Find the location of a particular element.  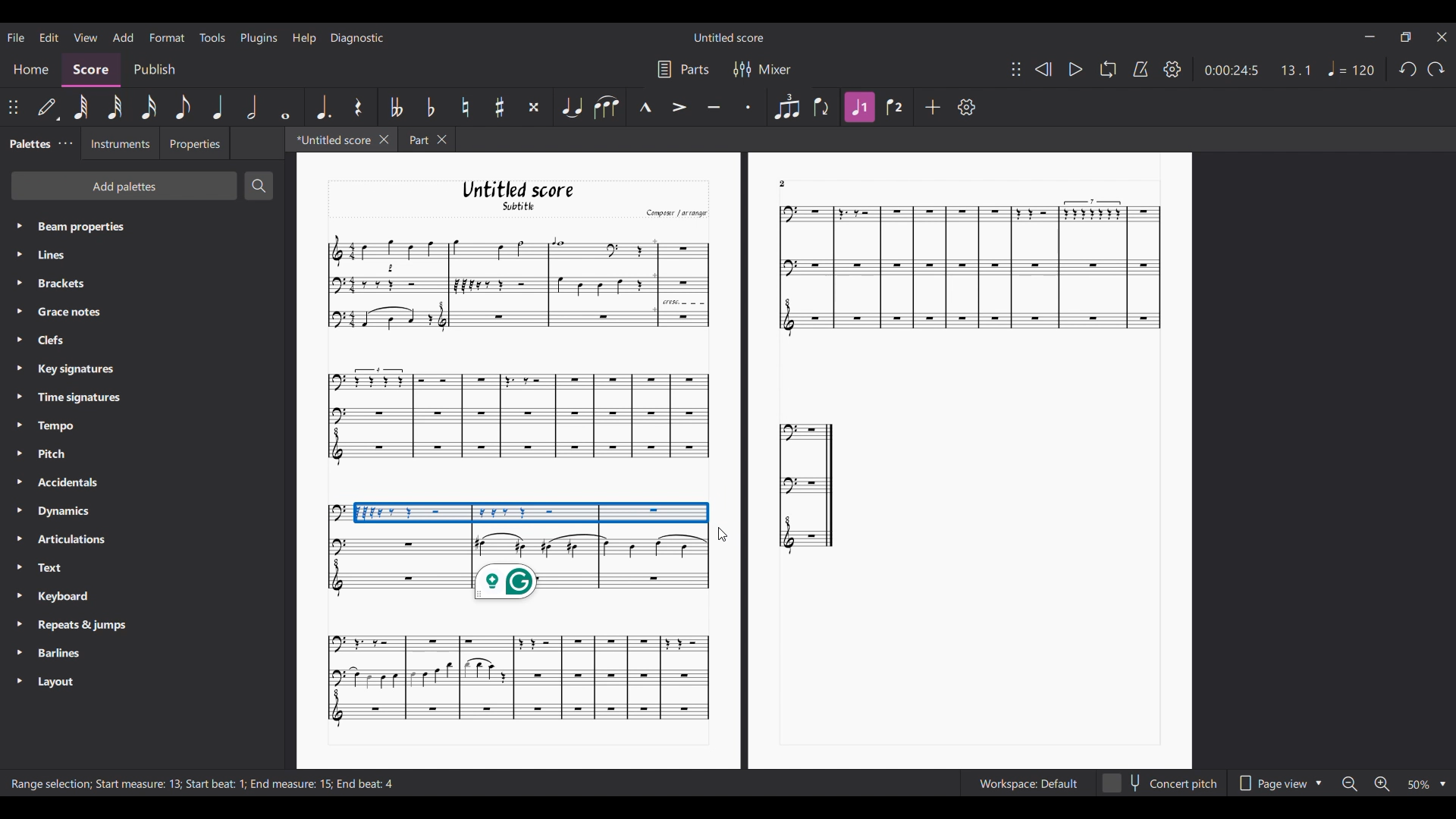

> Pitch is located at coordinates (52, 457).